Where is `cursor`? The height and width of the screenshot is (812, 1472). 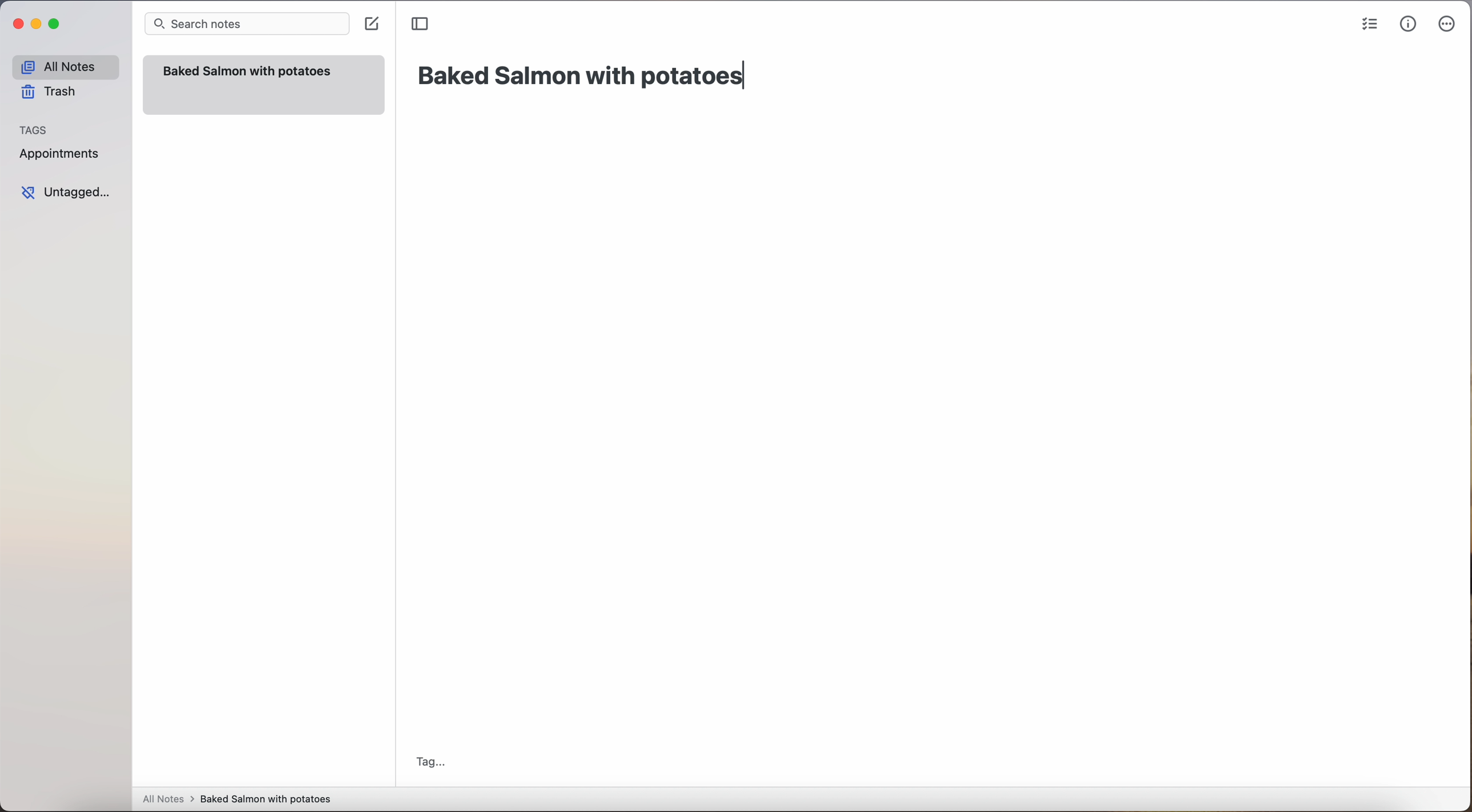 cursor is located at coordinates (374, 31).